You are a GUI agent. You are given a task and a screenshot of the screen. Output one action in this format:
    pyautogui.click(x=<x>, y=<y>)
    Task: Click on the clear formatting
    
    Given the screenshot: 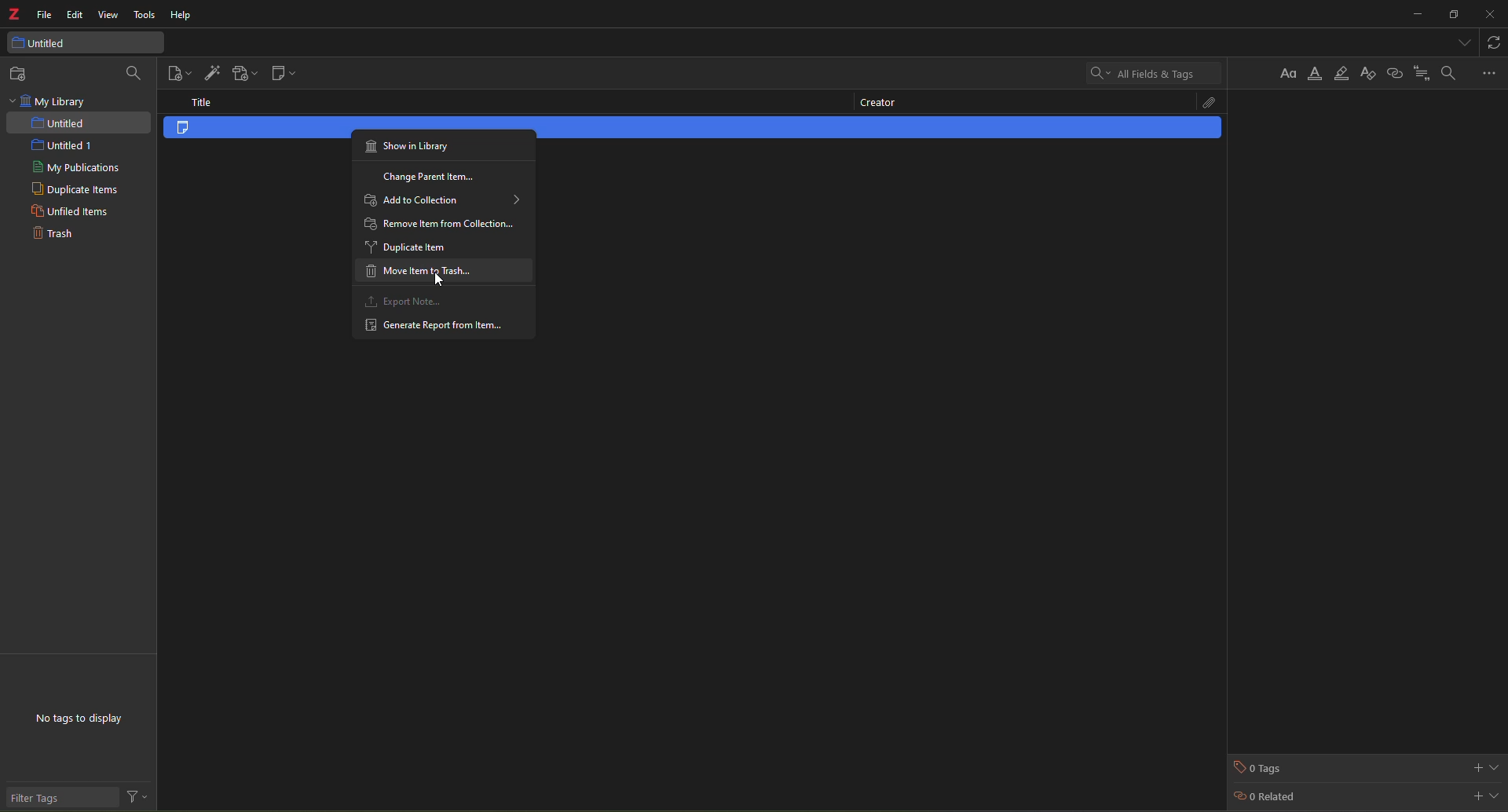 What is the action you would take?
    pyautogui.click(x=1367, y=75)
    